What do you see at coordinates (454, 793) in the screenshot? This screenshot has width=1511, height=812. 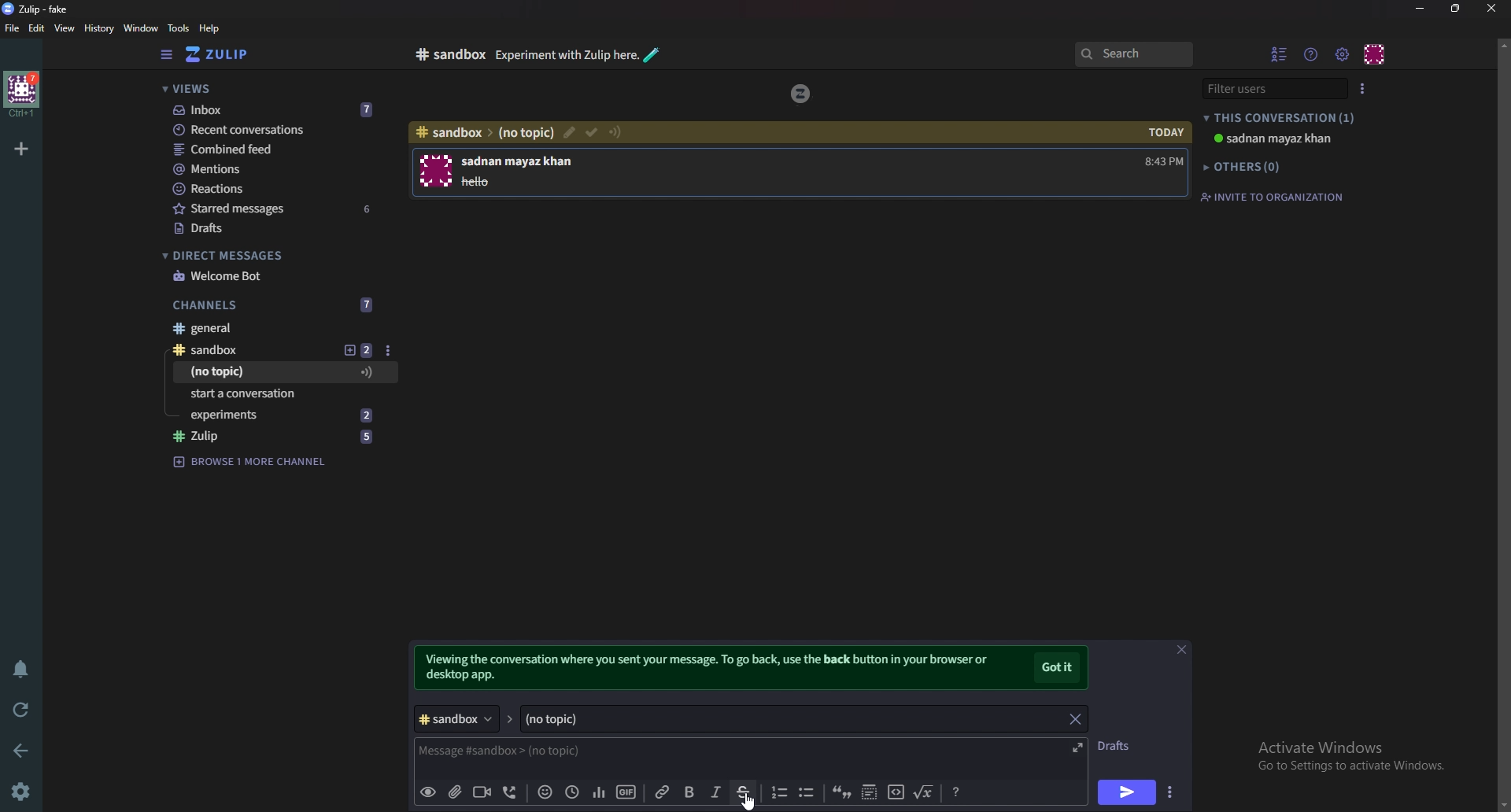 I see `add file` at bounding box center [454, 793].